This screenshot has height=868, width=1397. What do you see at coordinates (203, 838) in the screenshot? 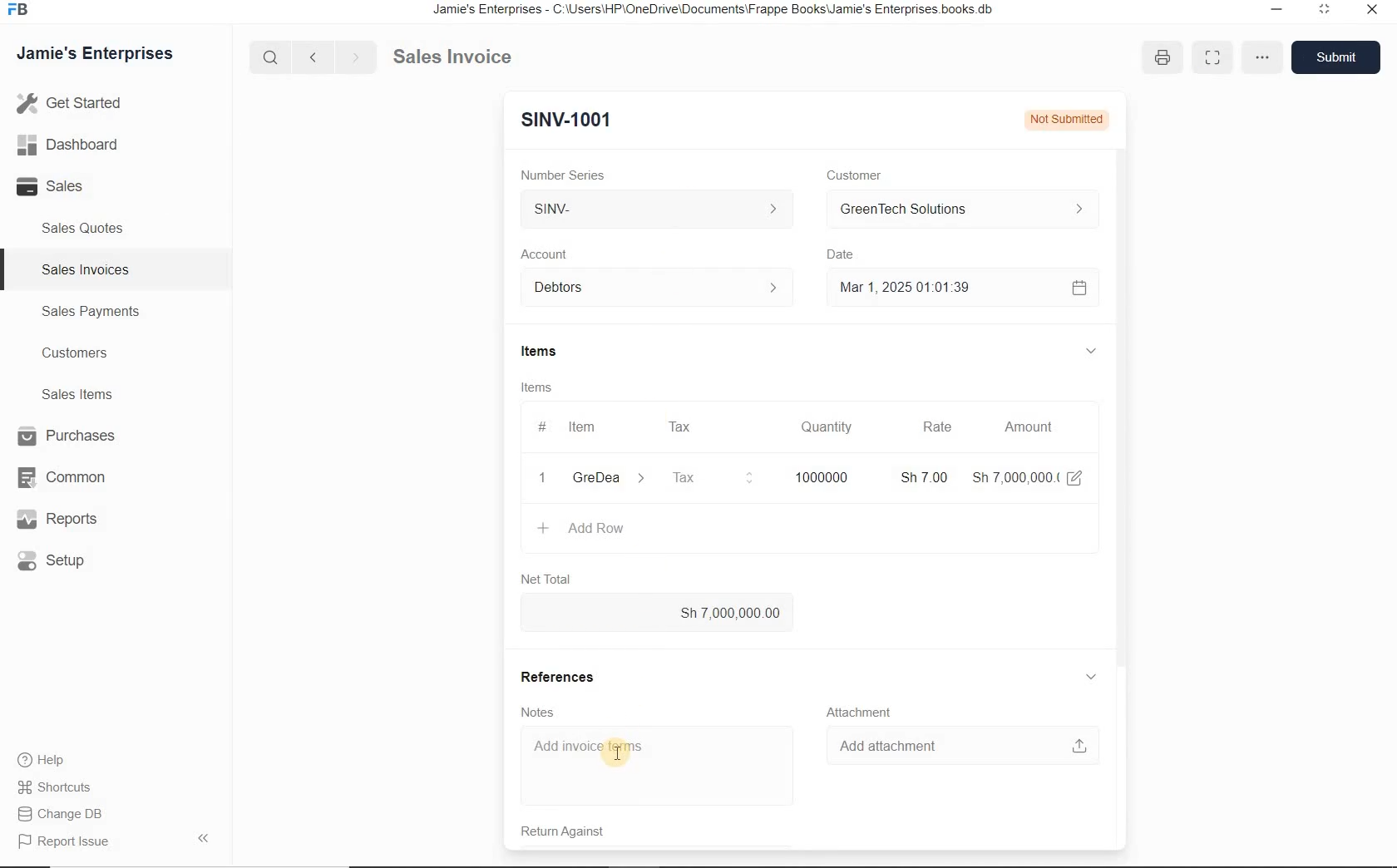
I see `hide` at bounding box center [203, 838].